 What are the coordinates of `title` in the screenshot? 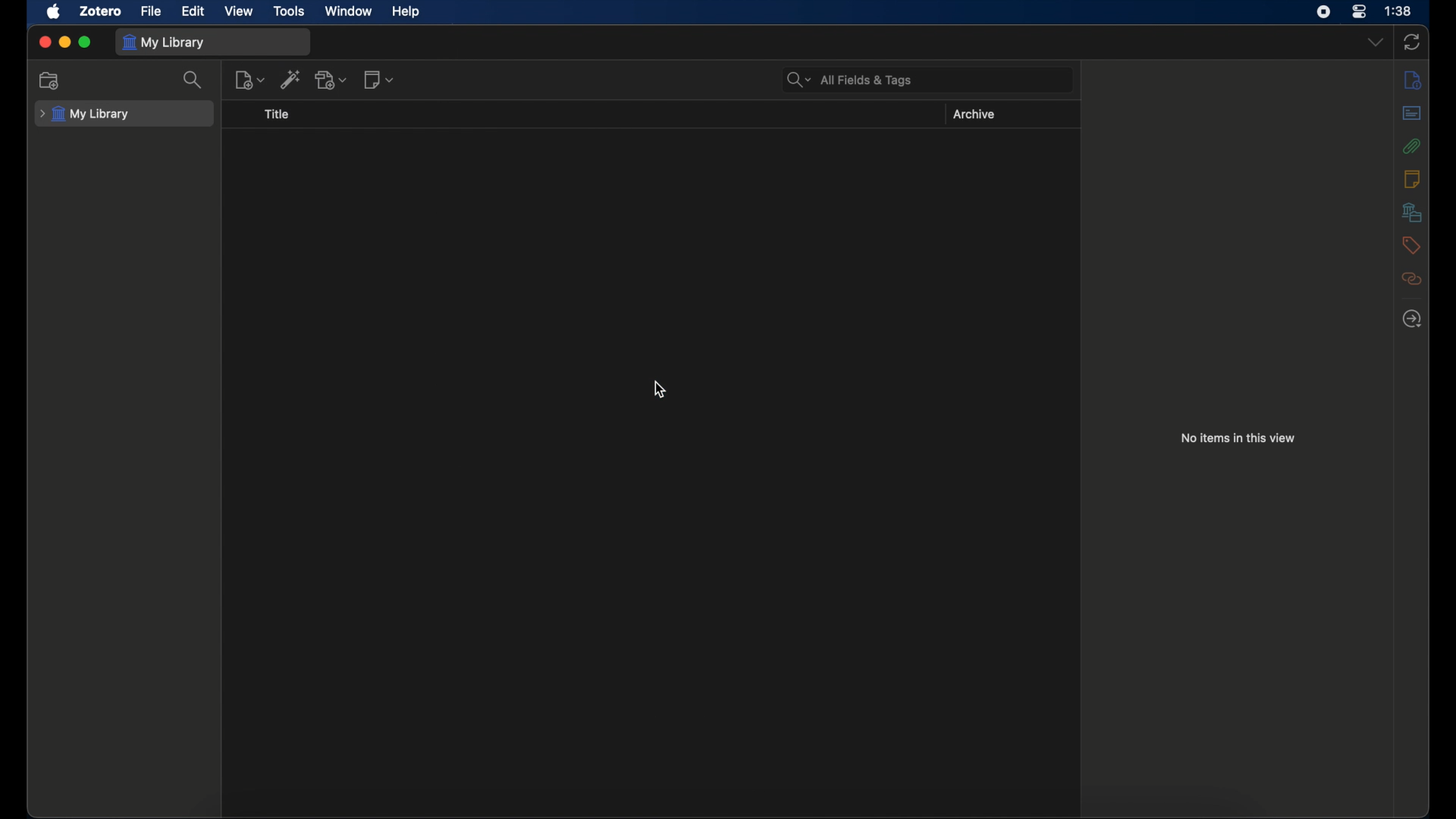 It's located at (278, 115).